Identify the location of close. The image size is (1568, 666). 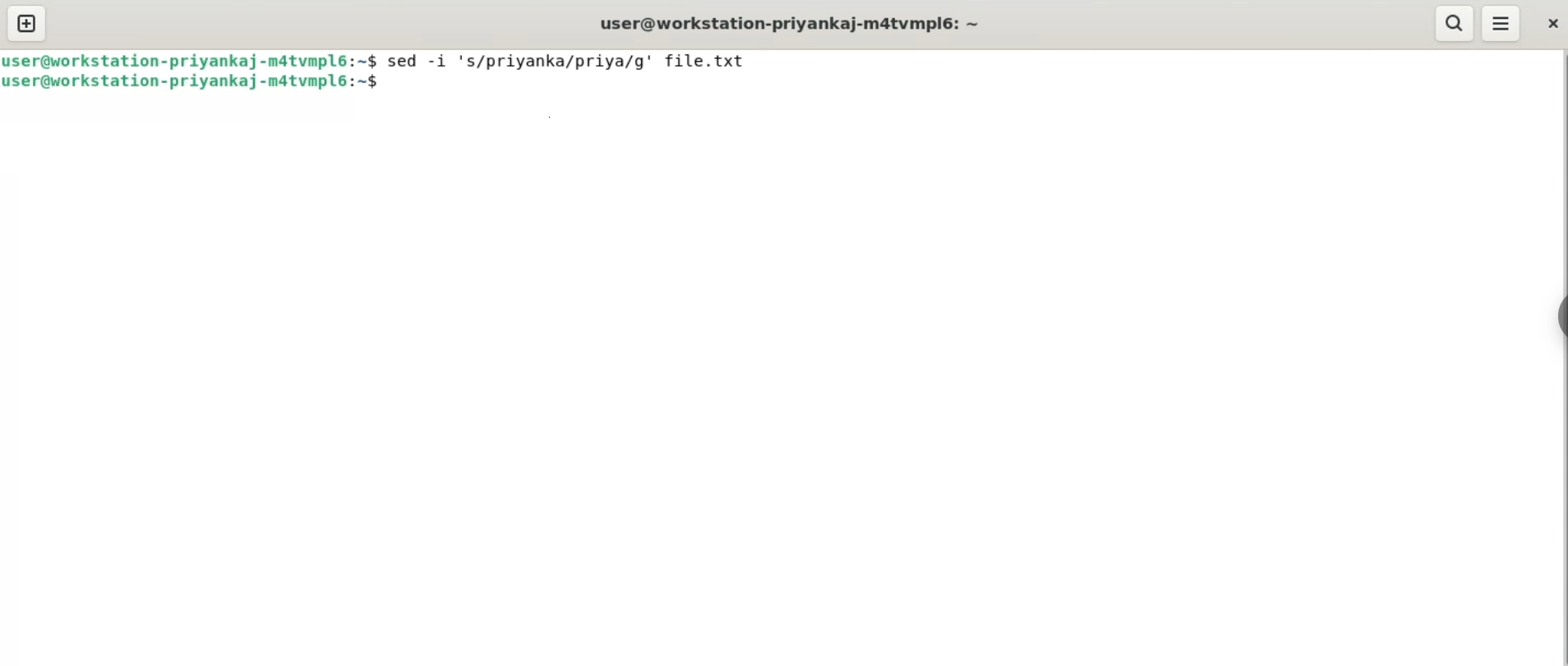
(1547, 21).